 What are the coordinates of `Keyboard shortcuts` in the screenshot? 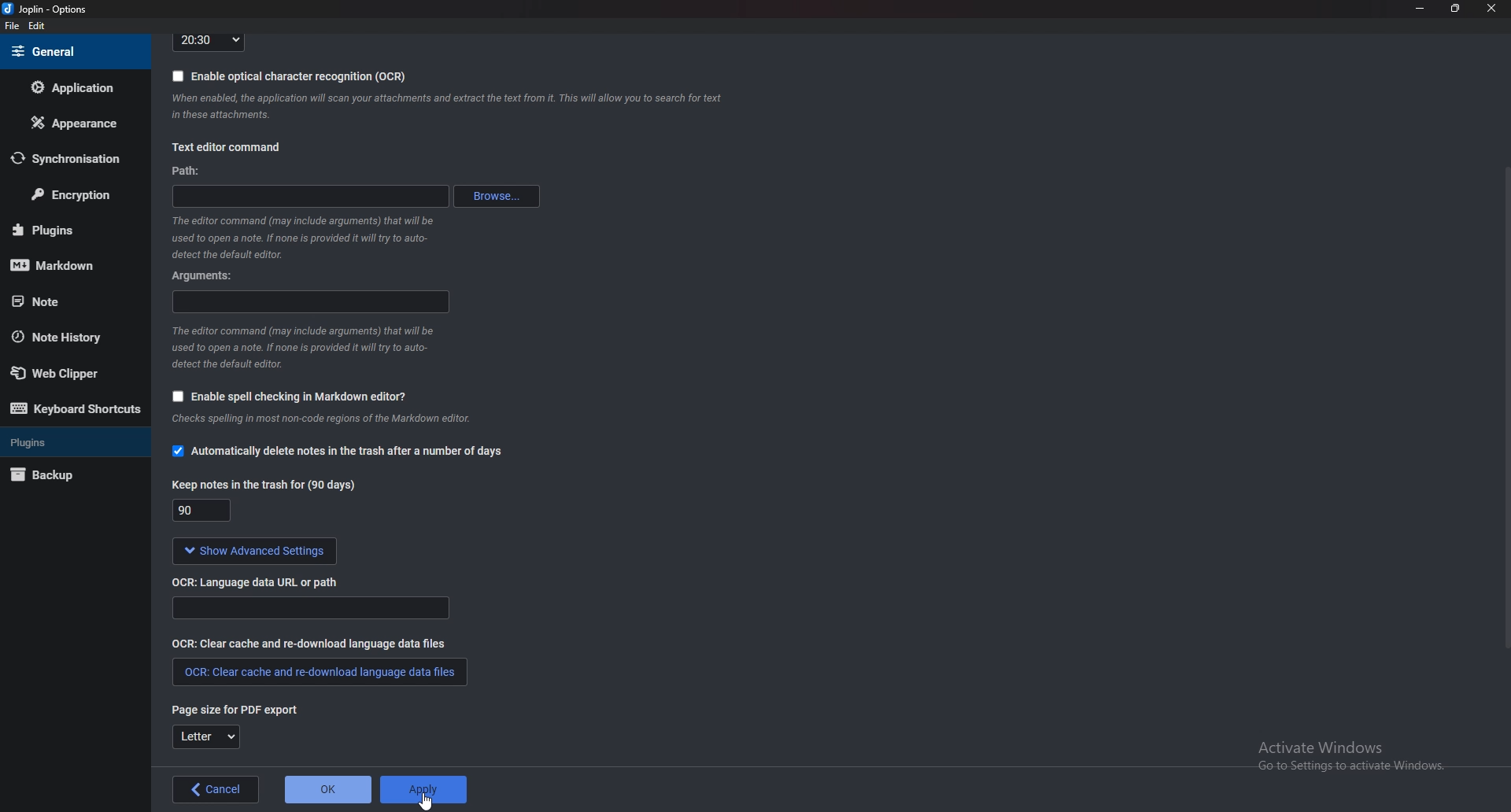 It's located at (75, 409).